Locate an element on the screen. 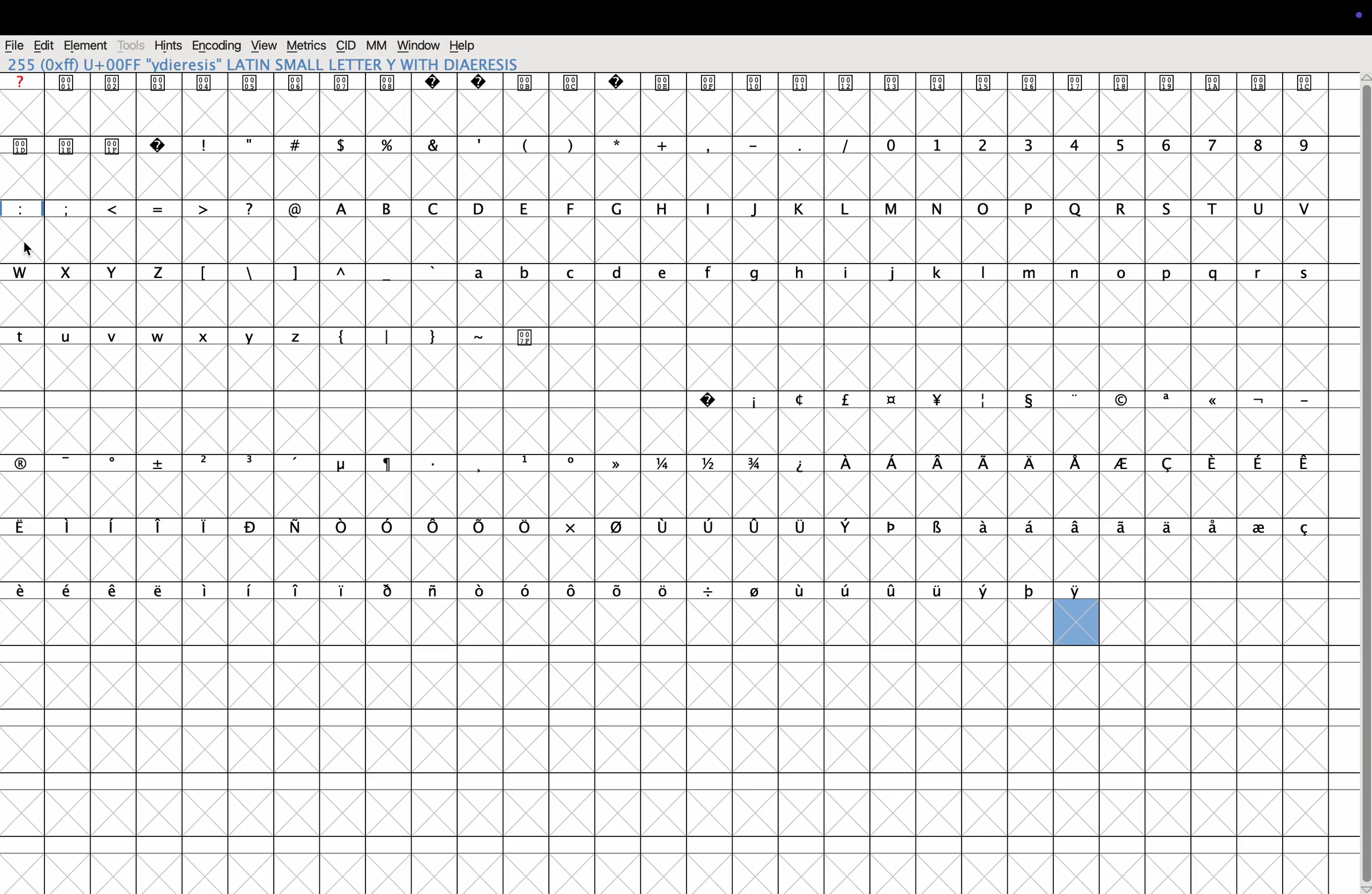 This screenshot has width=1372, height=894. b is located at coordinates (527, 298).